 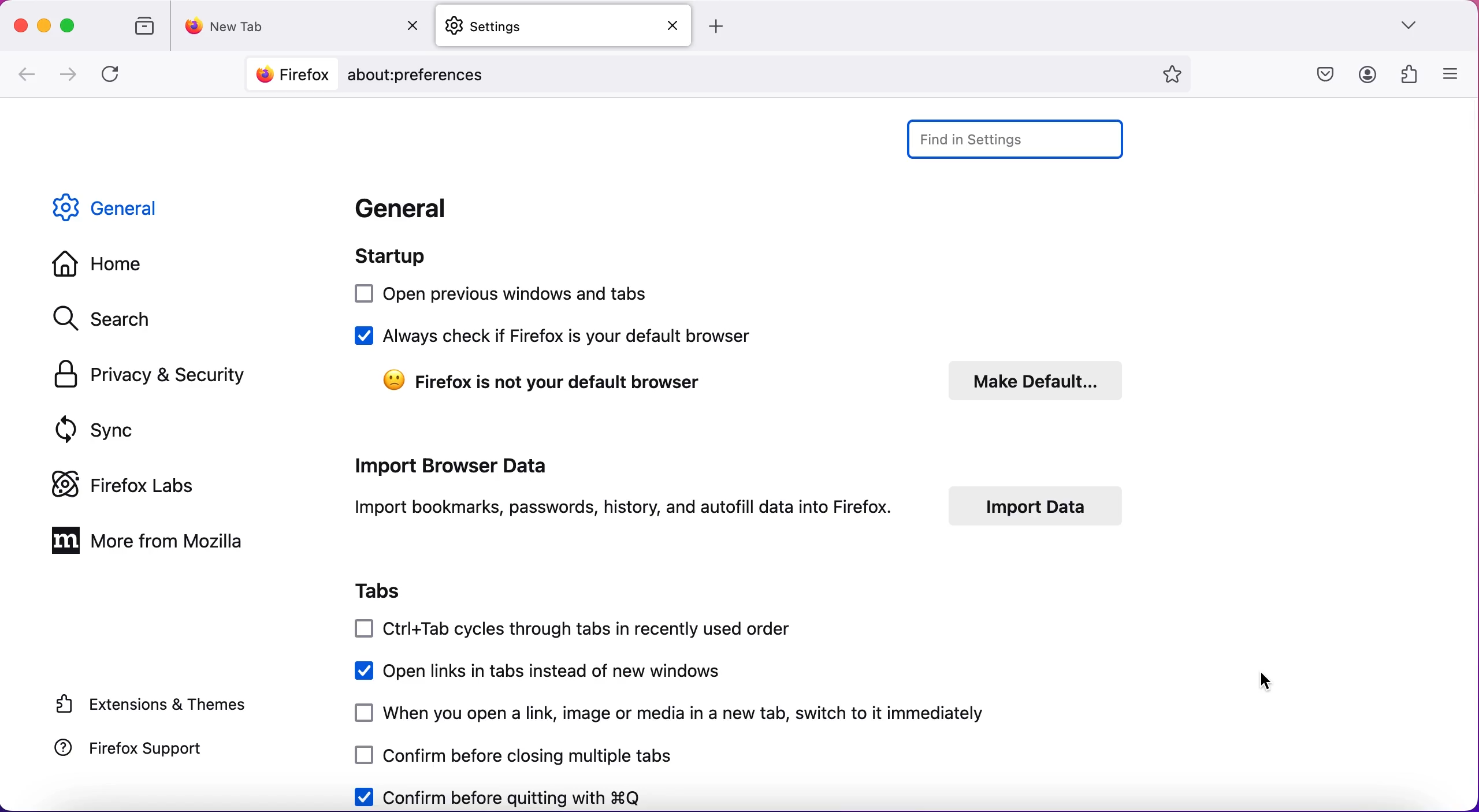 What do you see at coordinates (1262, 674) in the screenshot?
I see `cursor` at bounding box center [1262, 674].